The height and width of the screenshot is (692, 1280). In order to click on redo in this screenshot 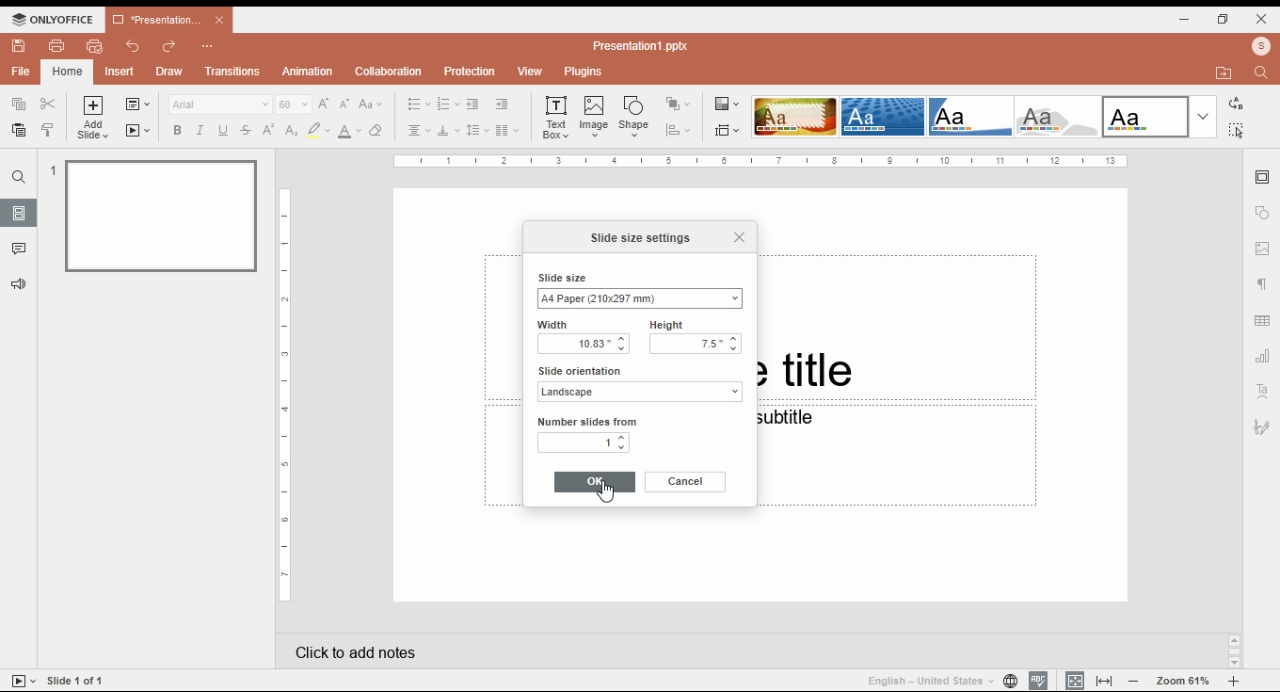, I will do `click(170, 47)`.